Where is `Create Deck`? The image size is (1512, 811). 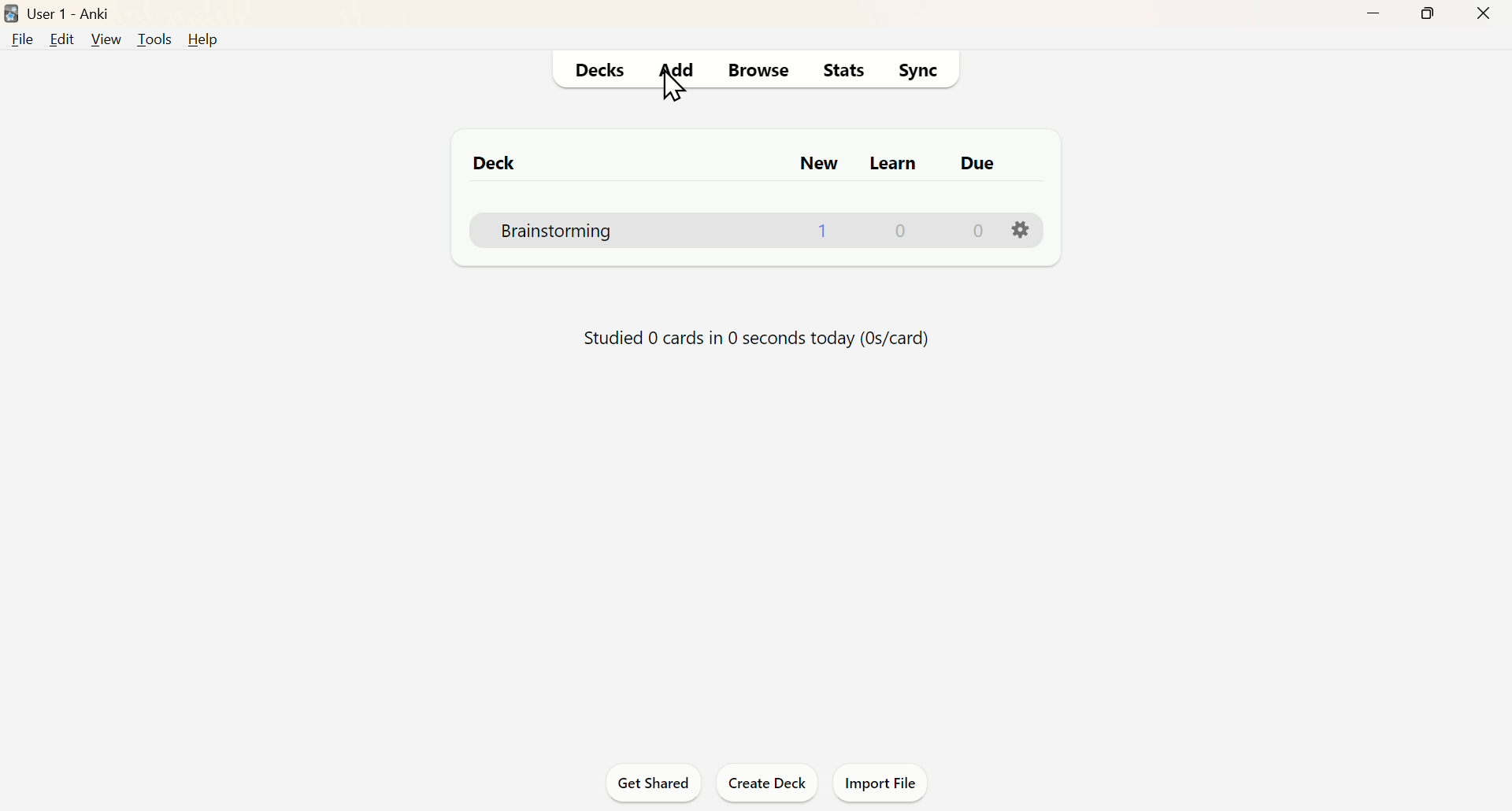
Create Deck is located at coordinates (764, 781).